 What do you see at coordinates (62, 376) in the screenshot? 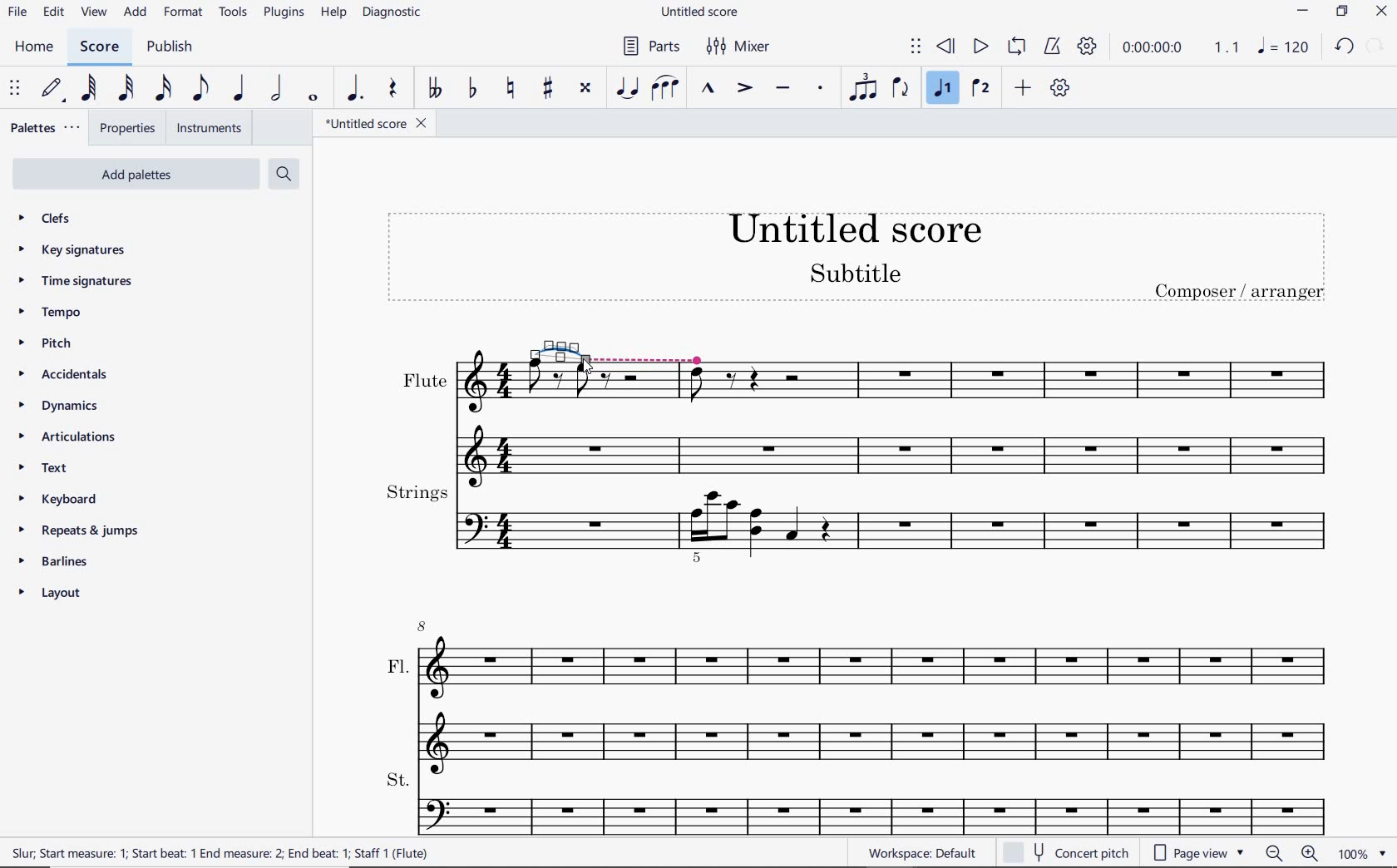
I see `accidentals` at bounding box center [62, 376].